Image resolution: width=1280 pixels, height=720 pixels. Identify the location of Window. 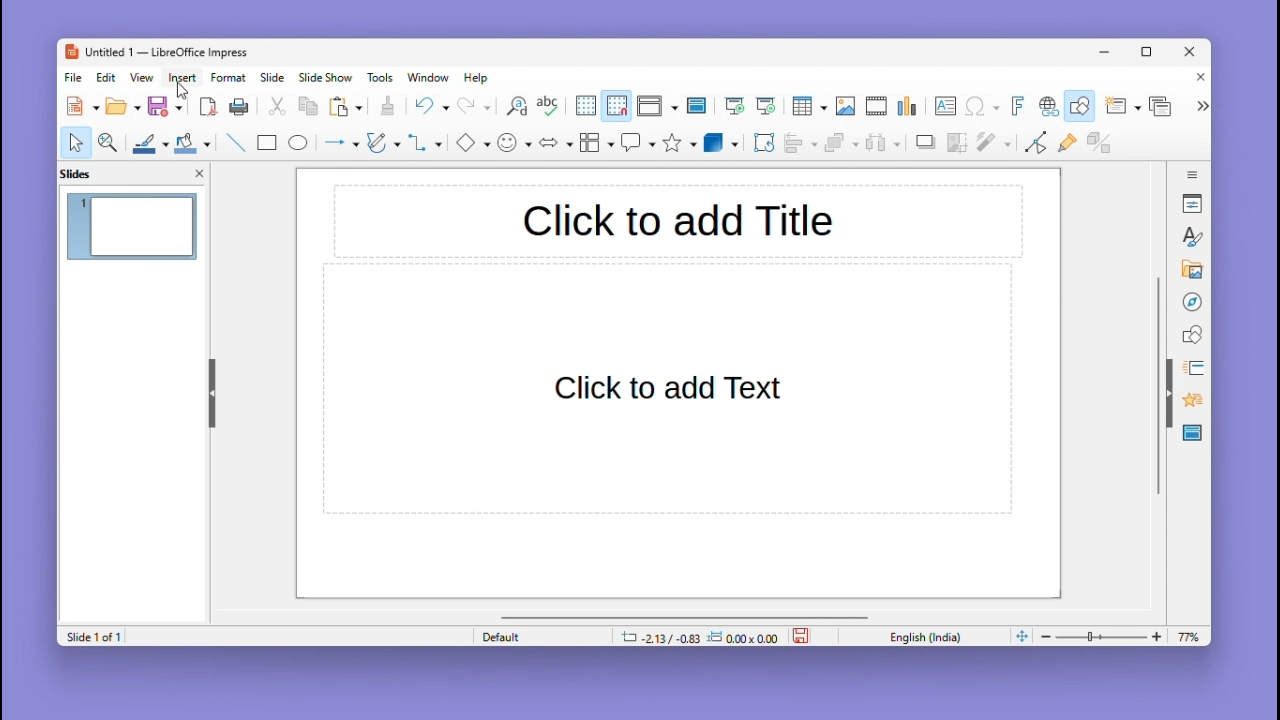
(433, 77).